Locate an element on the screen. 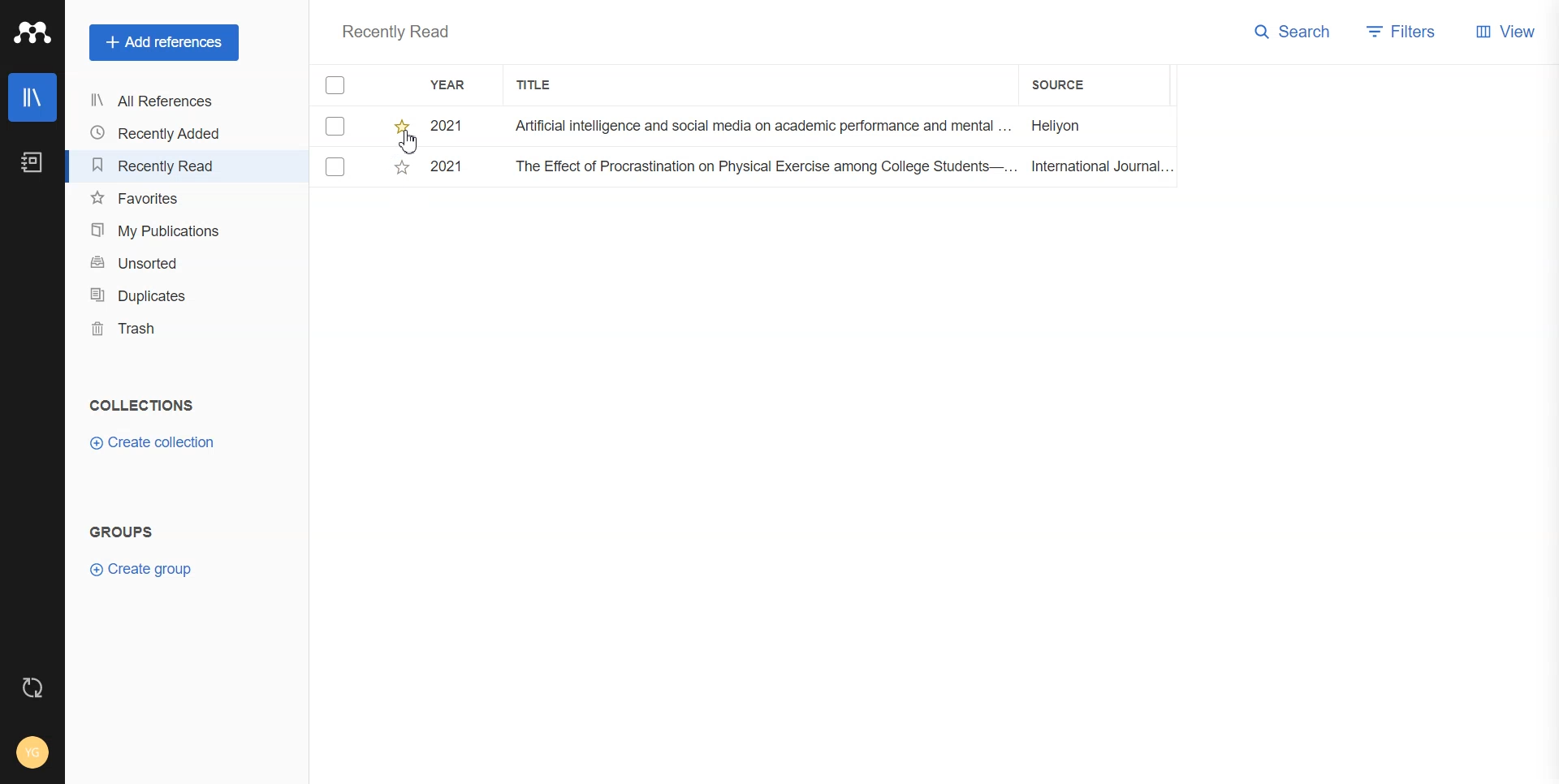 This screenshot has height=784, width=1559. Create group is located at coordinates (145, 570).